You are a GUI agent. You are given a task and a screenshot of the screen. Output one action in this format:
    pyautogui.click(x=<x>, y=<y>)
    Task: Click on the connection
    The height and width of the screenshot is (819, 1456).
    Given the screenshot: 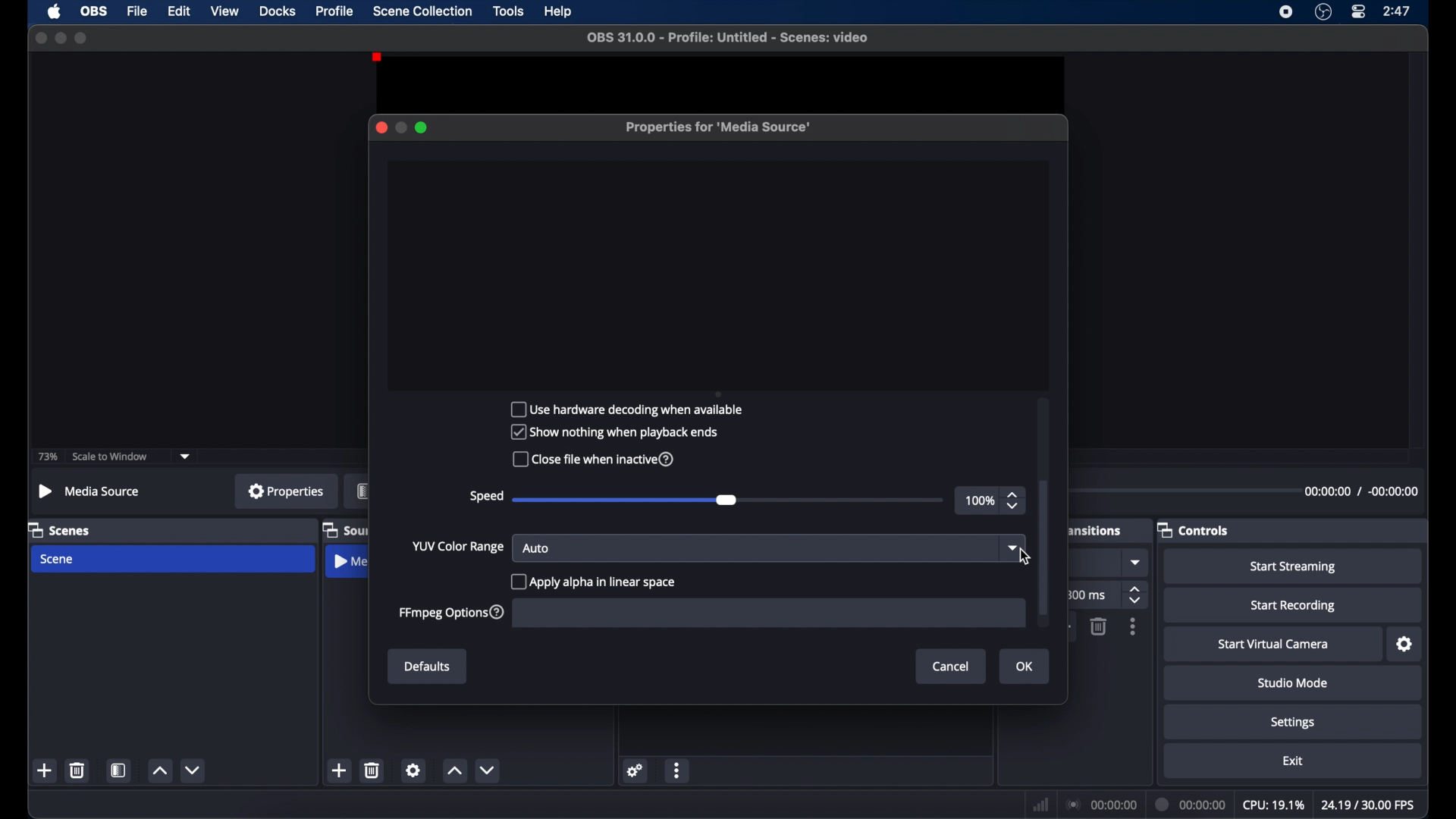 What is the action you would take?
    pyautogui.click(x=1102, y=805)
    